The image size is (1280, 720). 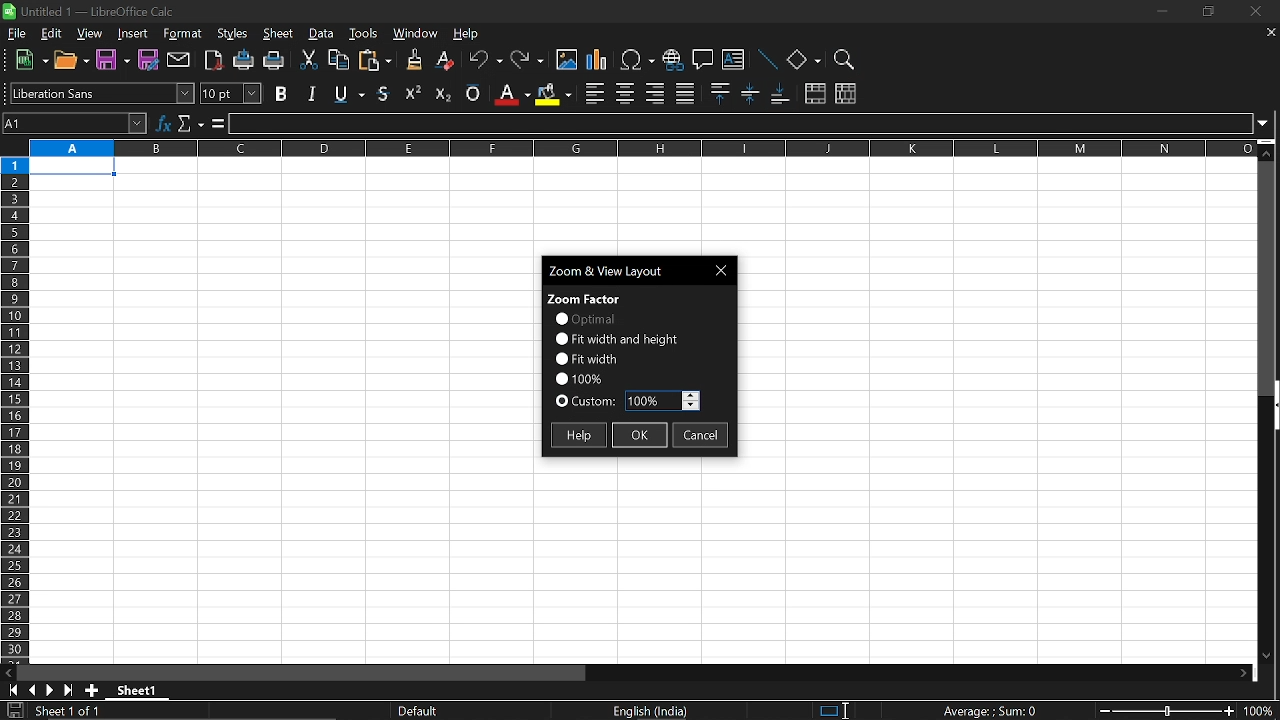 I want to click on zoom, so click(x=842, y=60).